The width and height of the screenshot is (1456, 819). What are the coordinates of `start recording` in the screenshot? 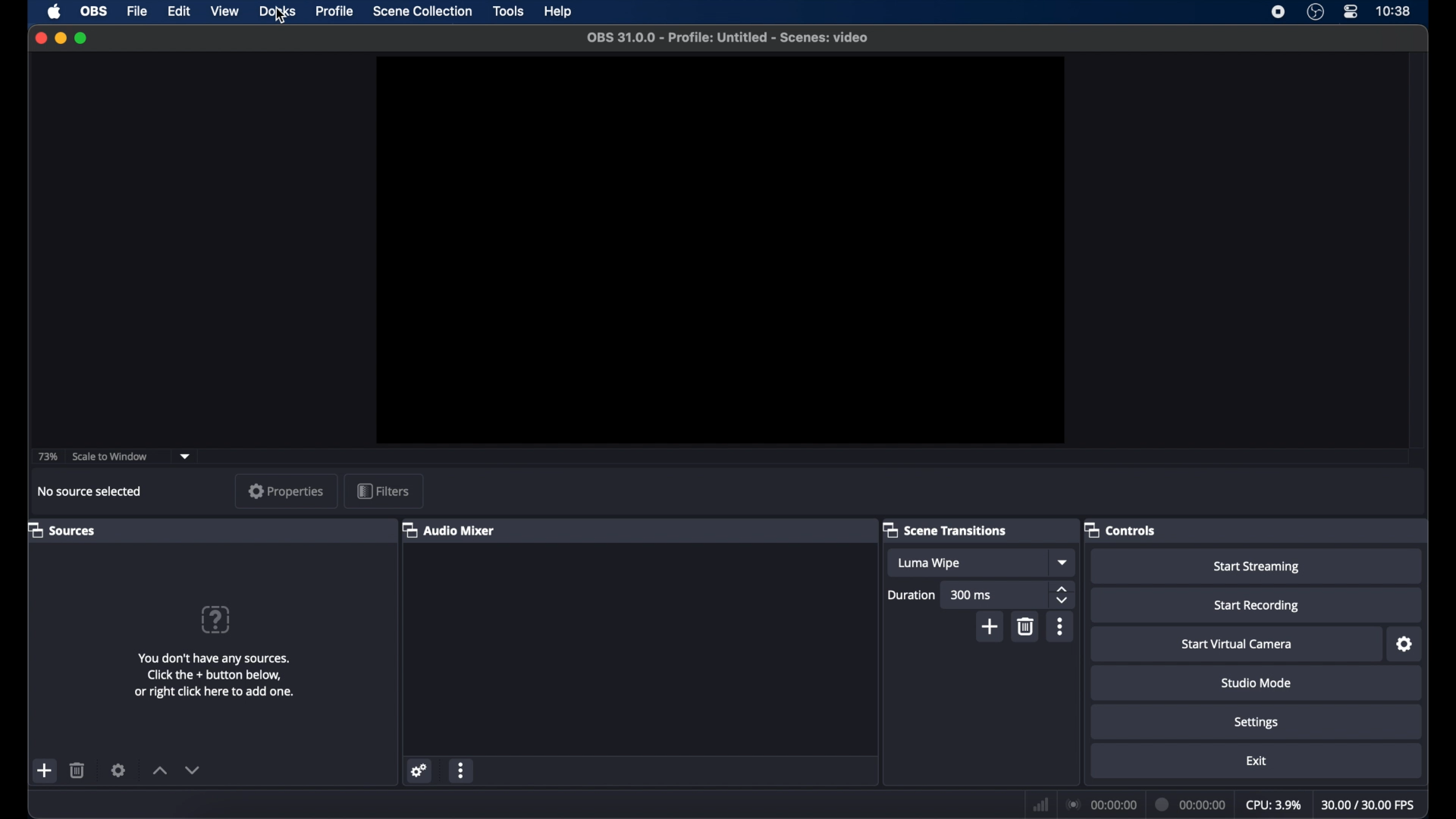 It's located at (1257, 606).